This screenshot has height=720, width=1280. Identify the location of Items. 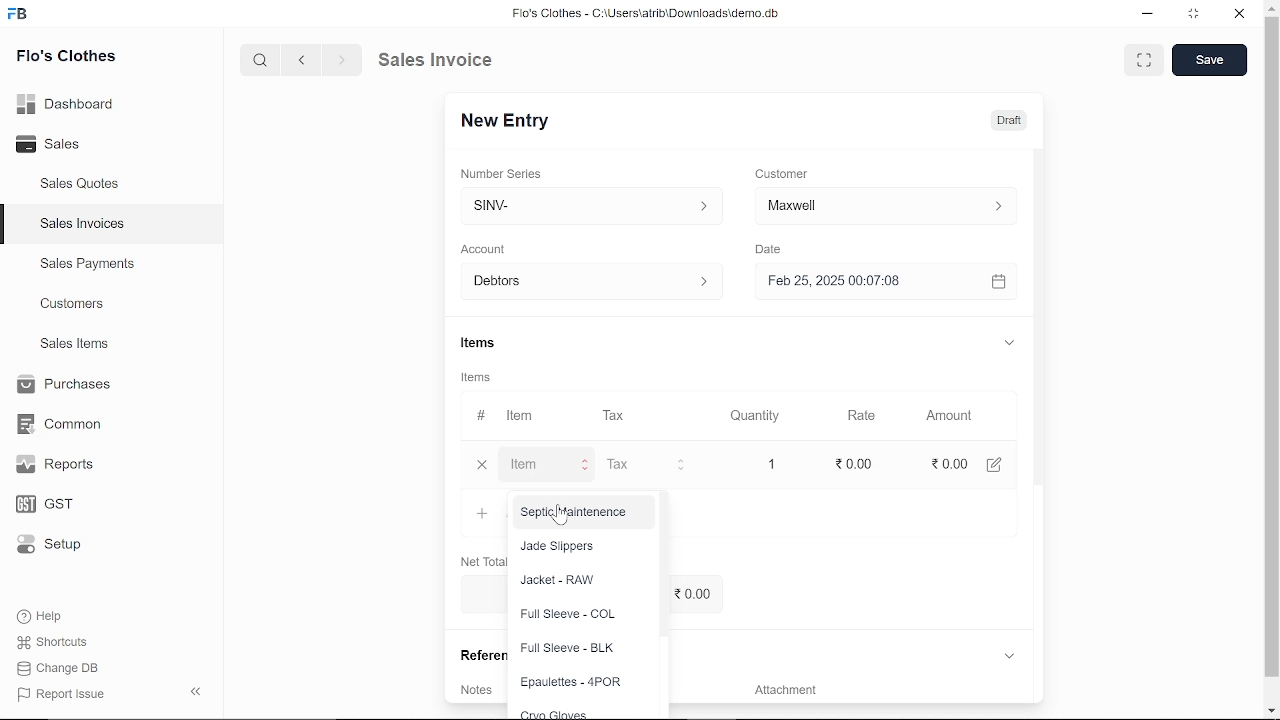
(491, 343).